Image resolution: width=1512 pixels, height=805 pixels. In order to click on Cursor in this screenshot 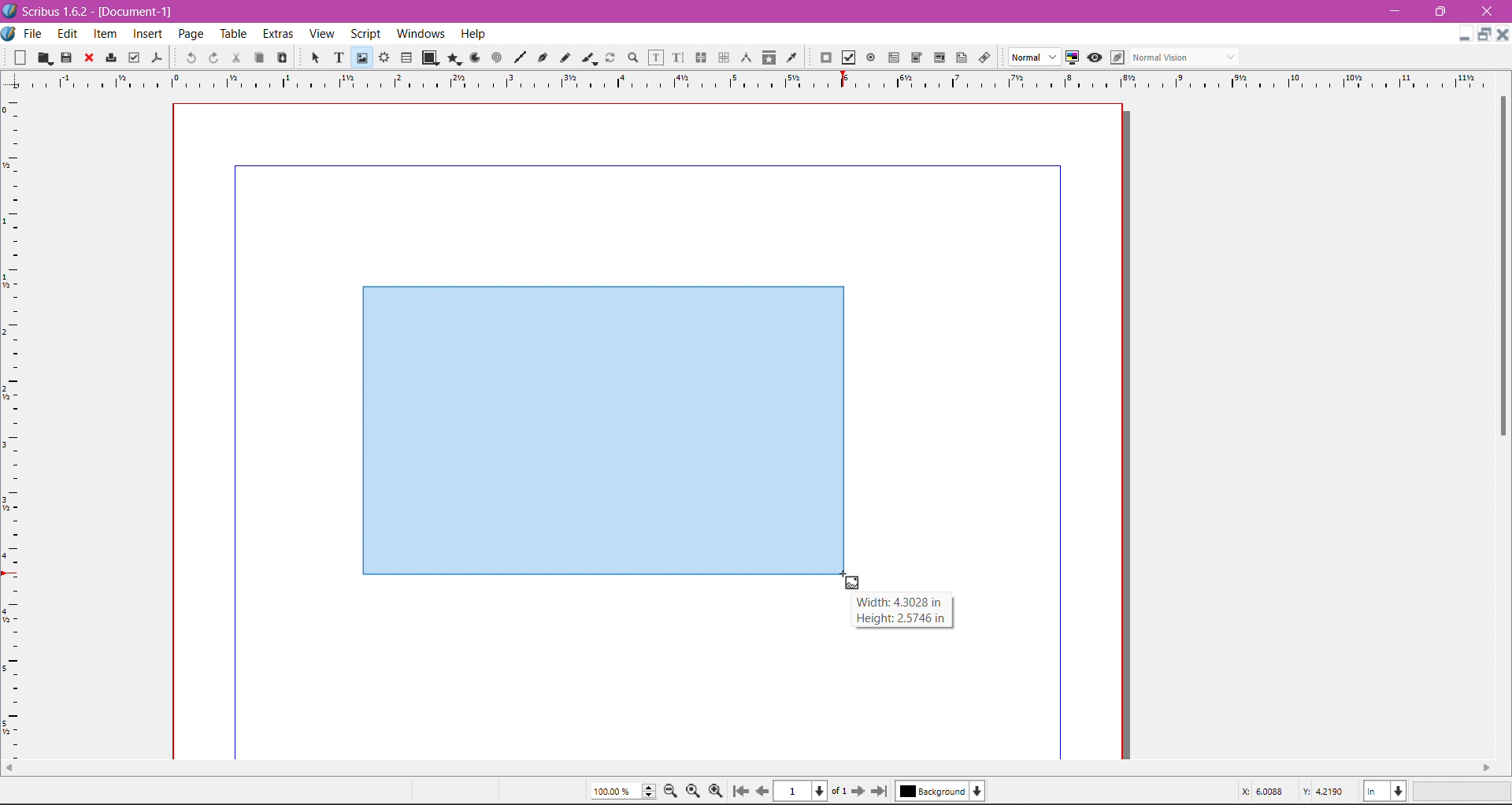, I will do `click(854, 586)`.